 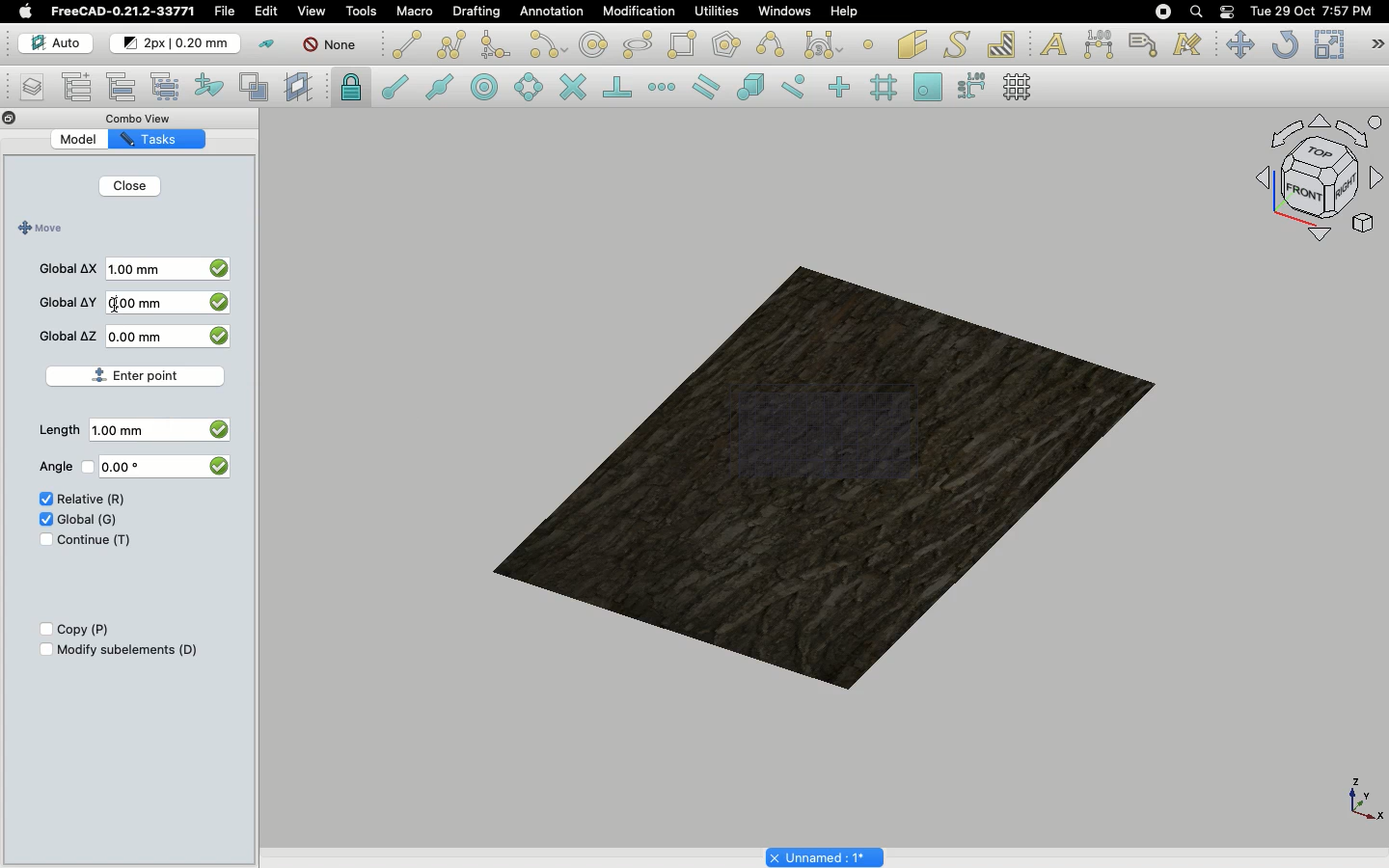 What do you see at coordinates (41, 501) in the screenshot?
I see `Check` at bounding box center [41, 501].